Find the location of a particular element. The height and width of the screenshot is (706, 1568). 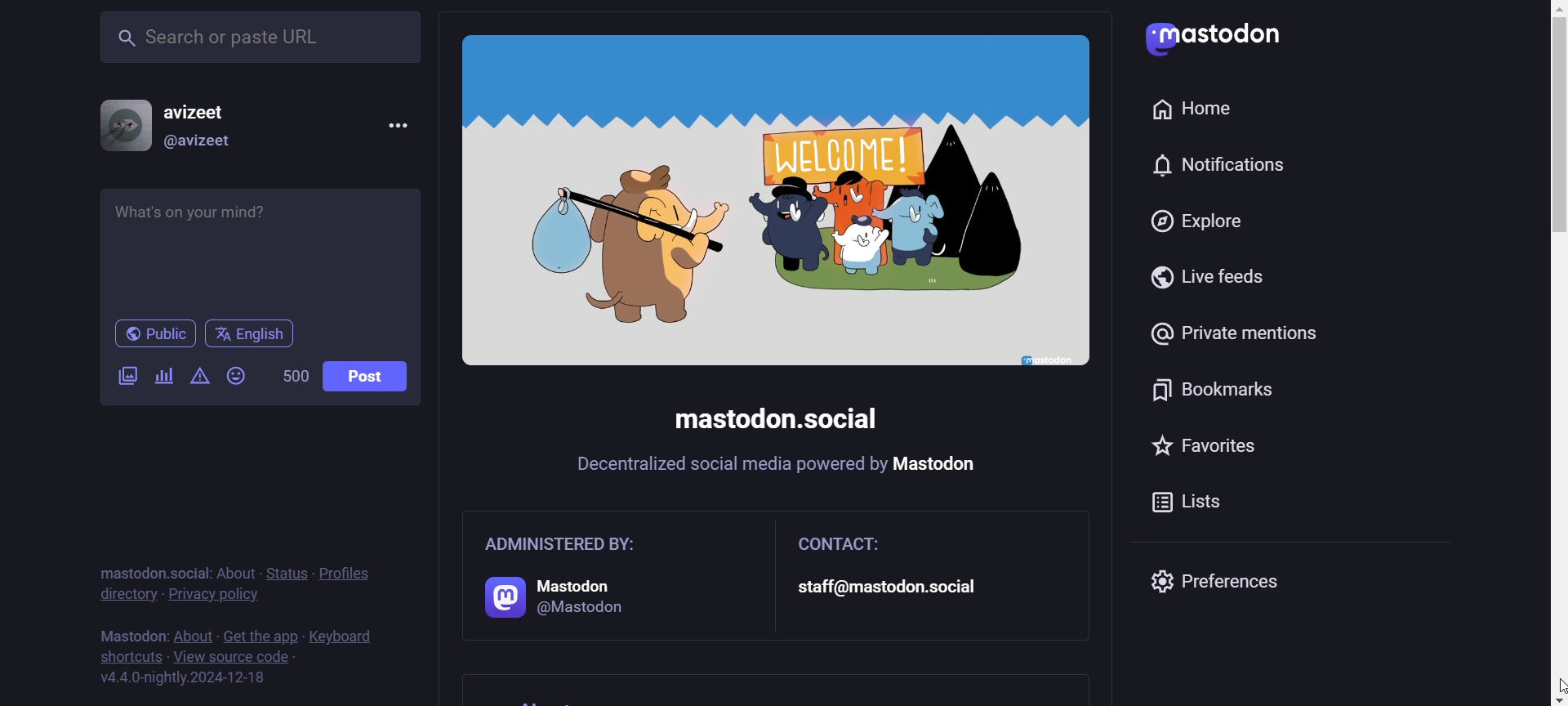

add emojis is located at coordinates (240, 375).